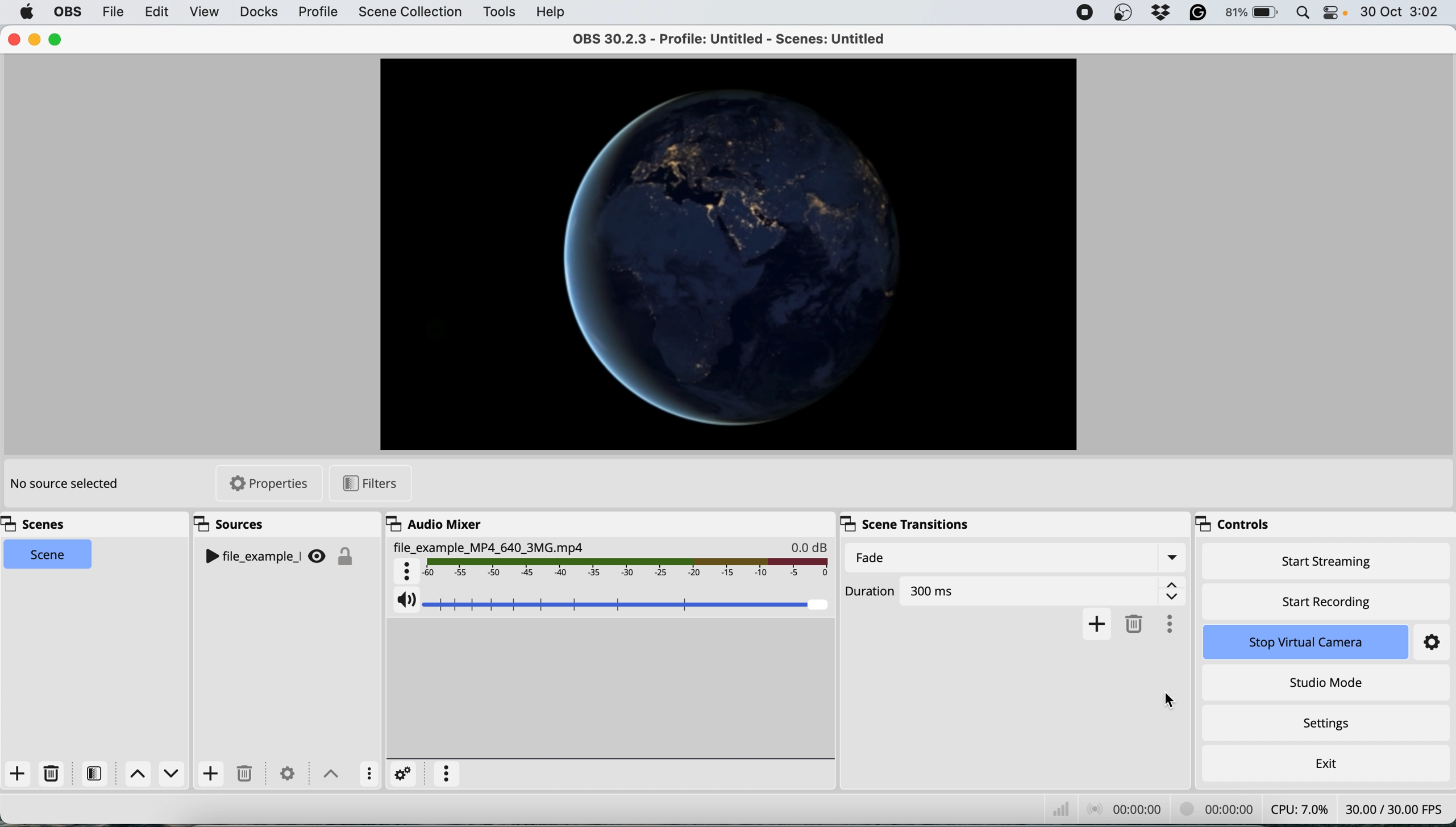  What do you see at coordinates (286, 558) in the screenshot?
I see `sources` at bounding box center [286, 558].